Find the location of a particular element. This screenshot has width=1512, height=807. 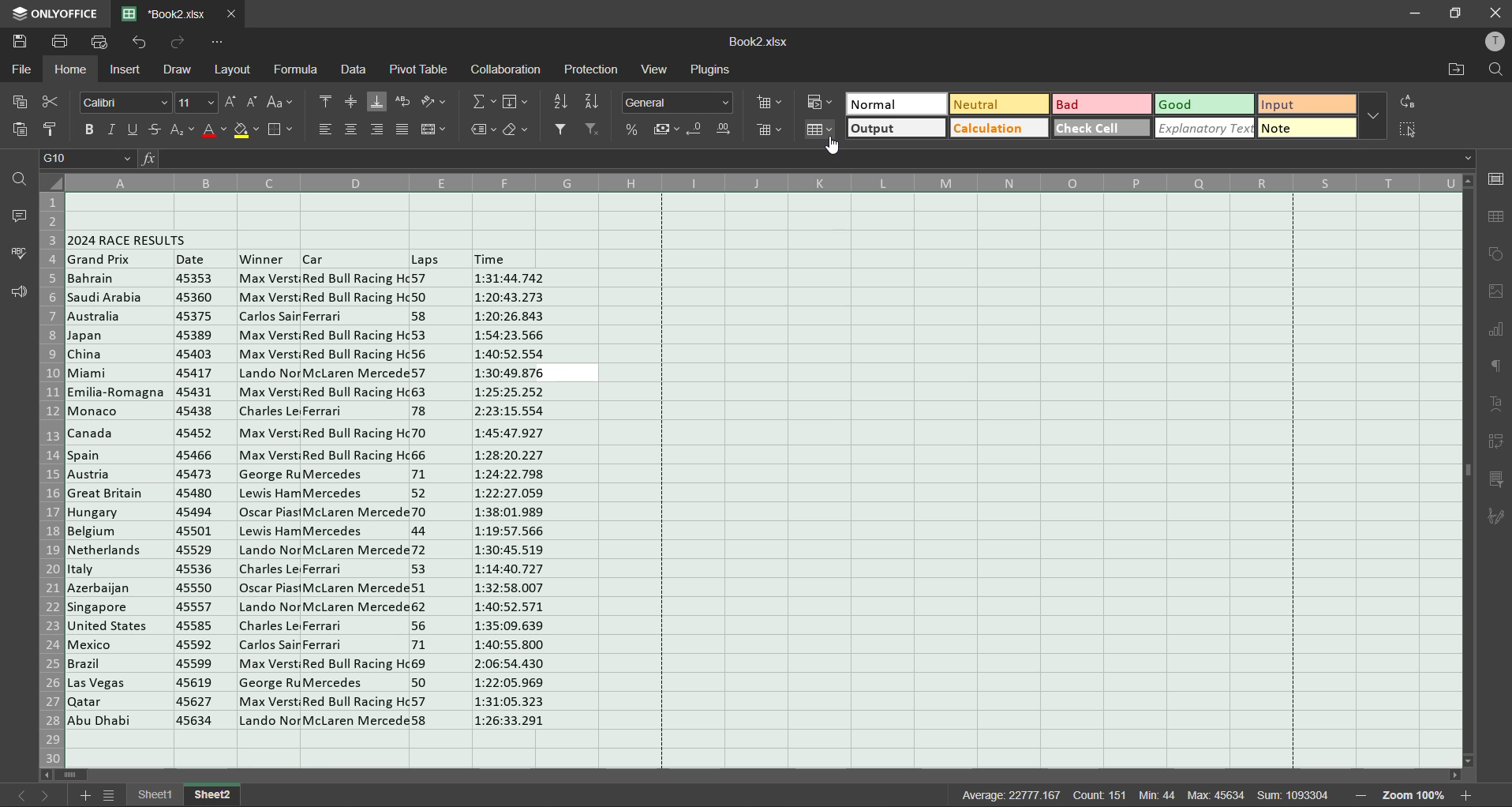

cell address is located at coordinates (87, 160).